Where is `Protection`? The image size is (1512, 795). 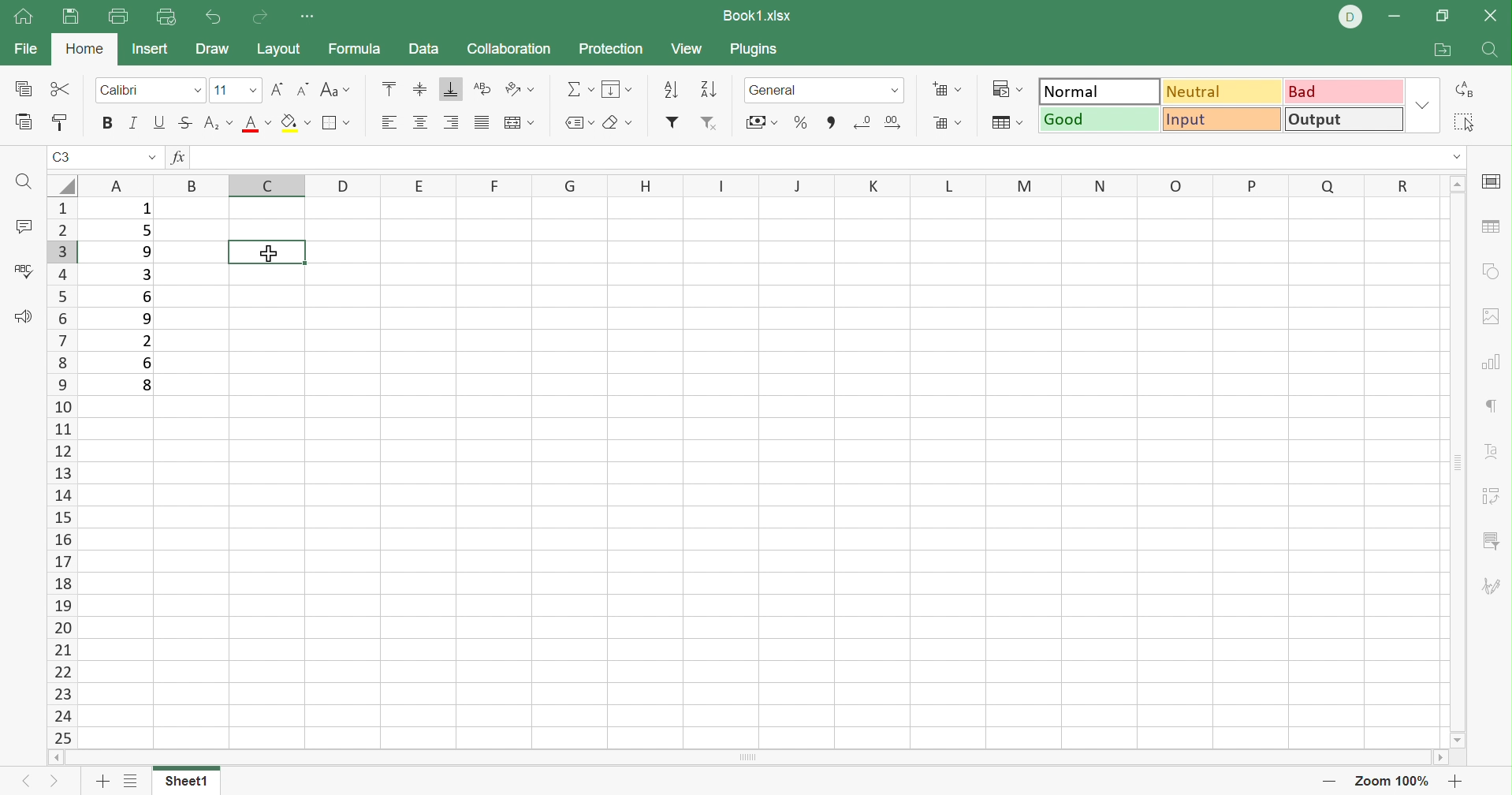 Protection is located at coordinates (611, 50).